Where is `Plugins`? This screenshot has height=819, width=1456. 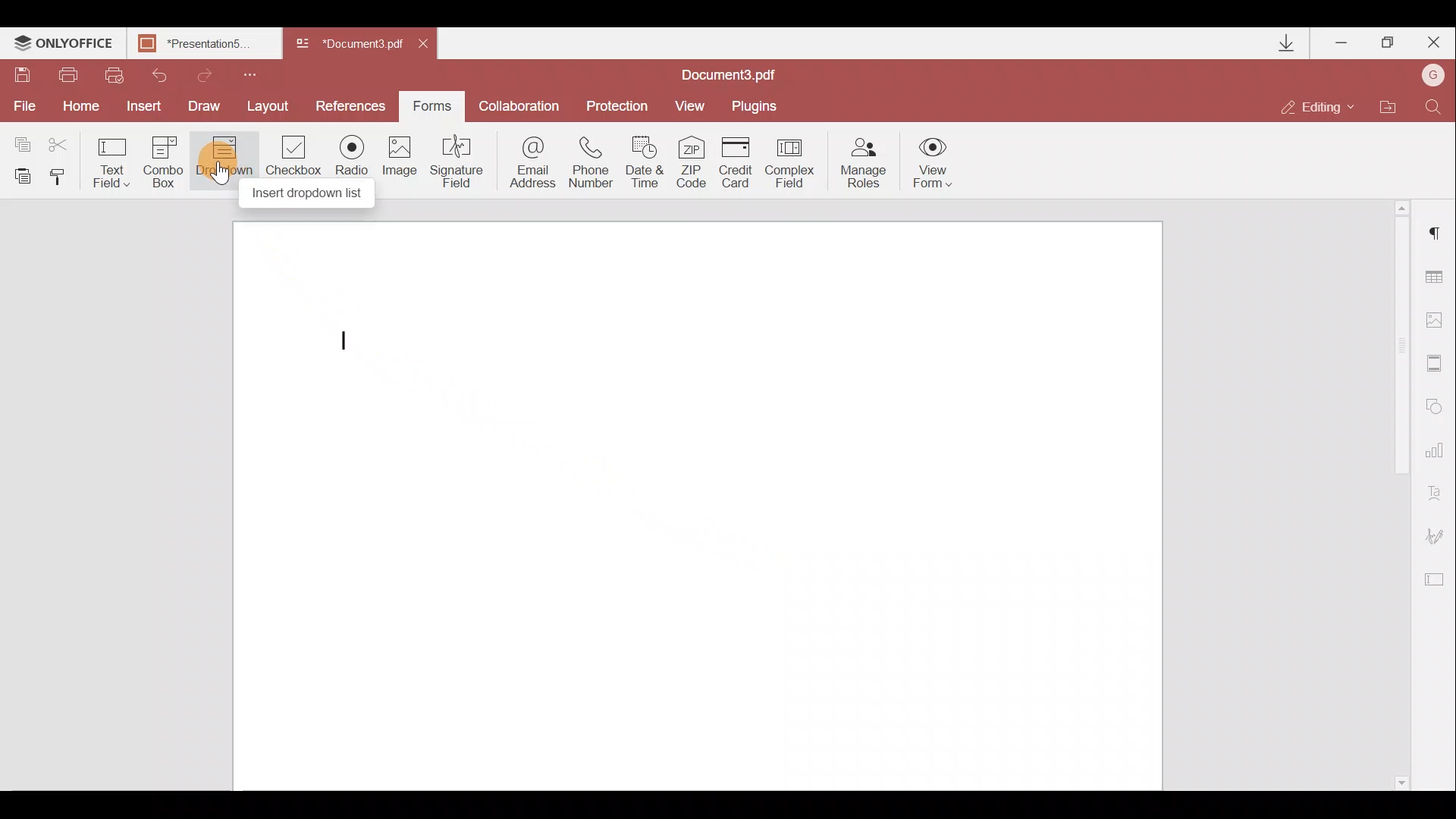
Plugins is located at coordinates (756, 107).